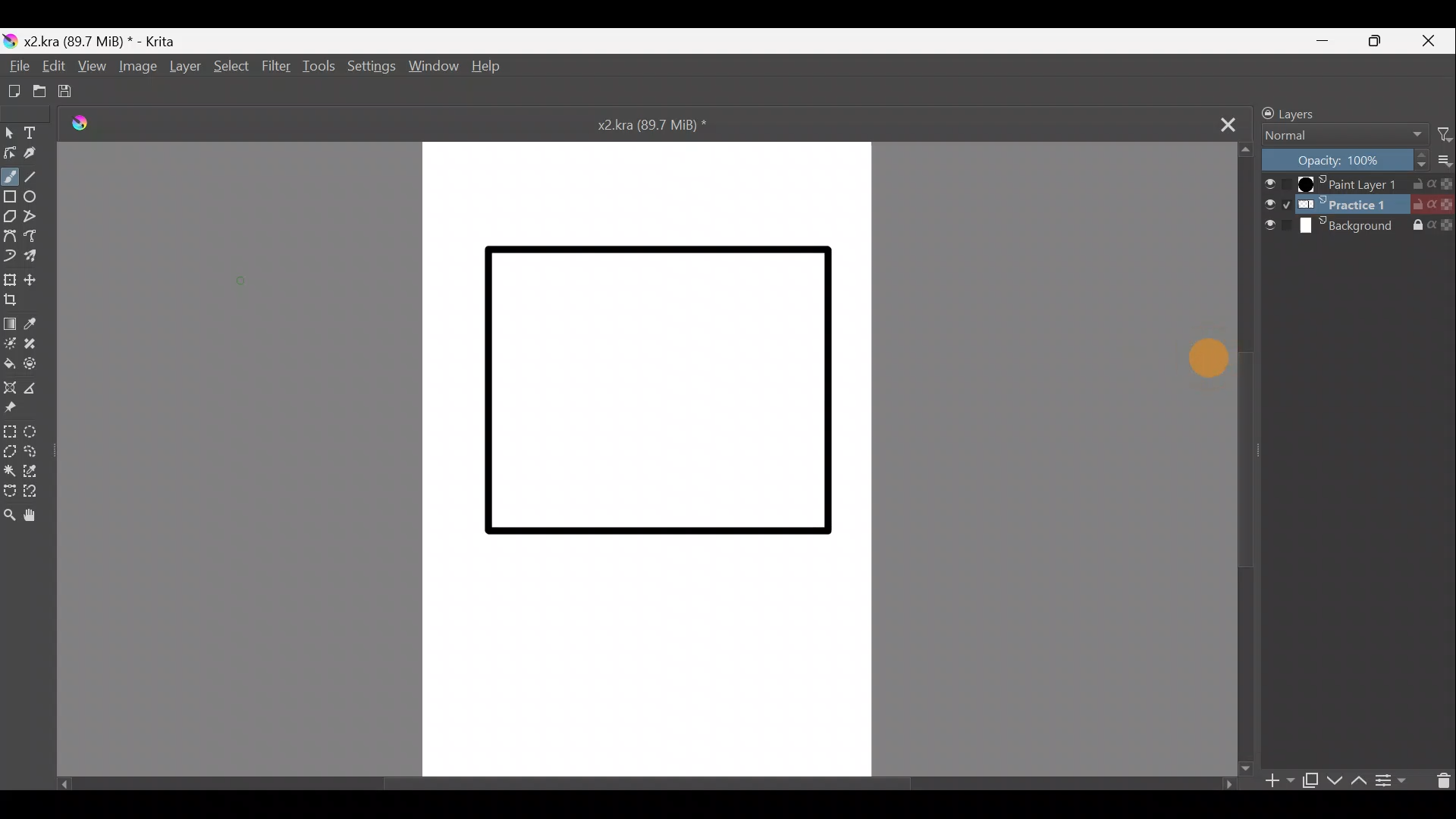 This screenshot has width=1456, height=819. What do you see at coordinates (1341, 160) in the screenshot?
I see `Layer opacity: 100%` at bounding box center [1341, 160].